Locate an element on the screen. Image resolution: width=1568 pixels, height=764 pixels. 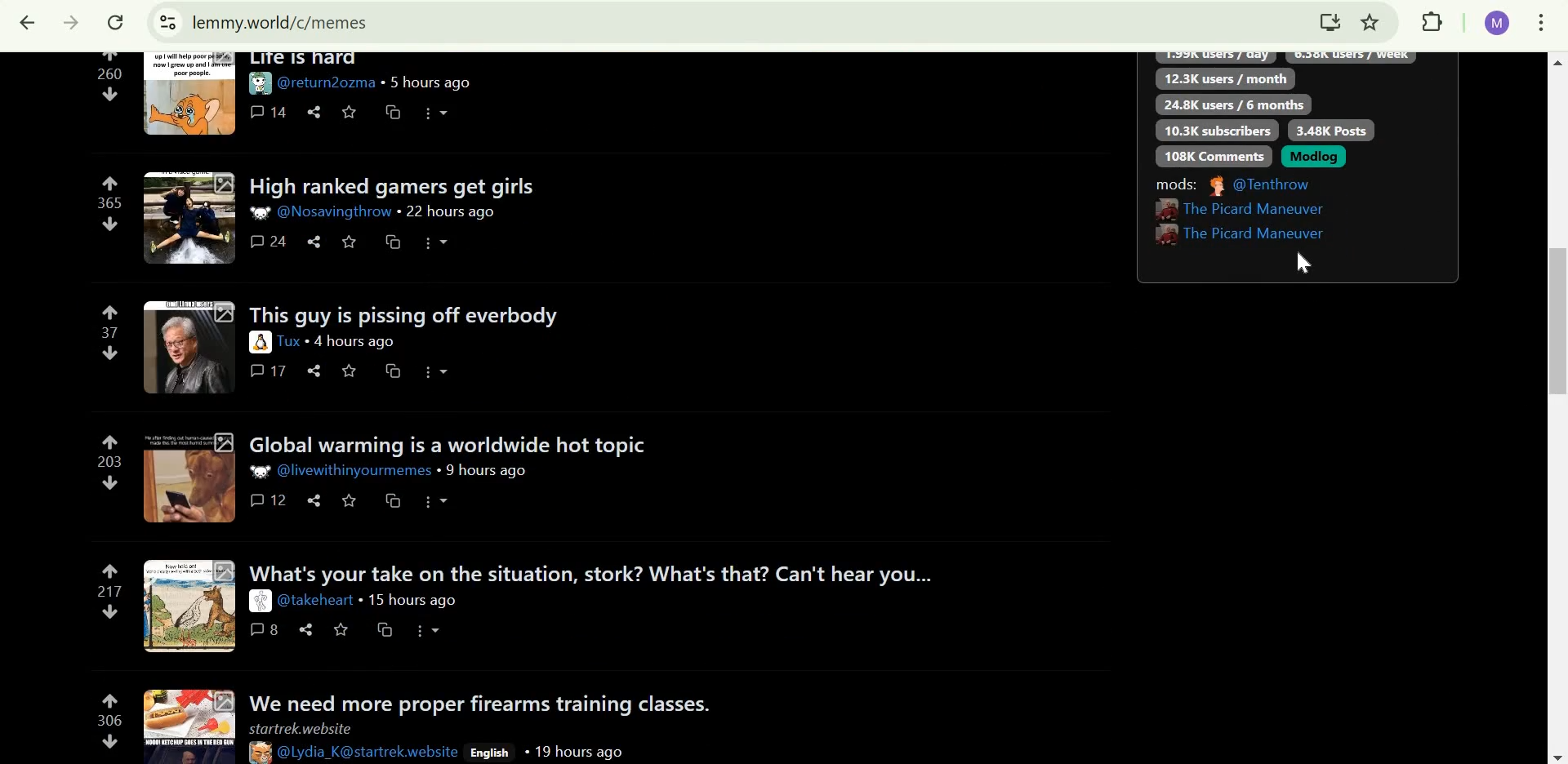
Click to go forward, hold to see history is located at coordinates (71, 25).